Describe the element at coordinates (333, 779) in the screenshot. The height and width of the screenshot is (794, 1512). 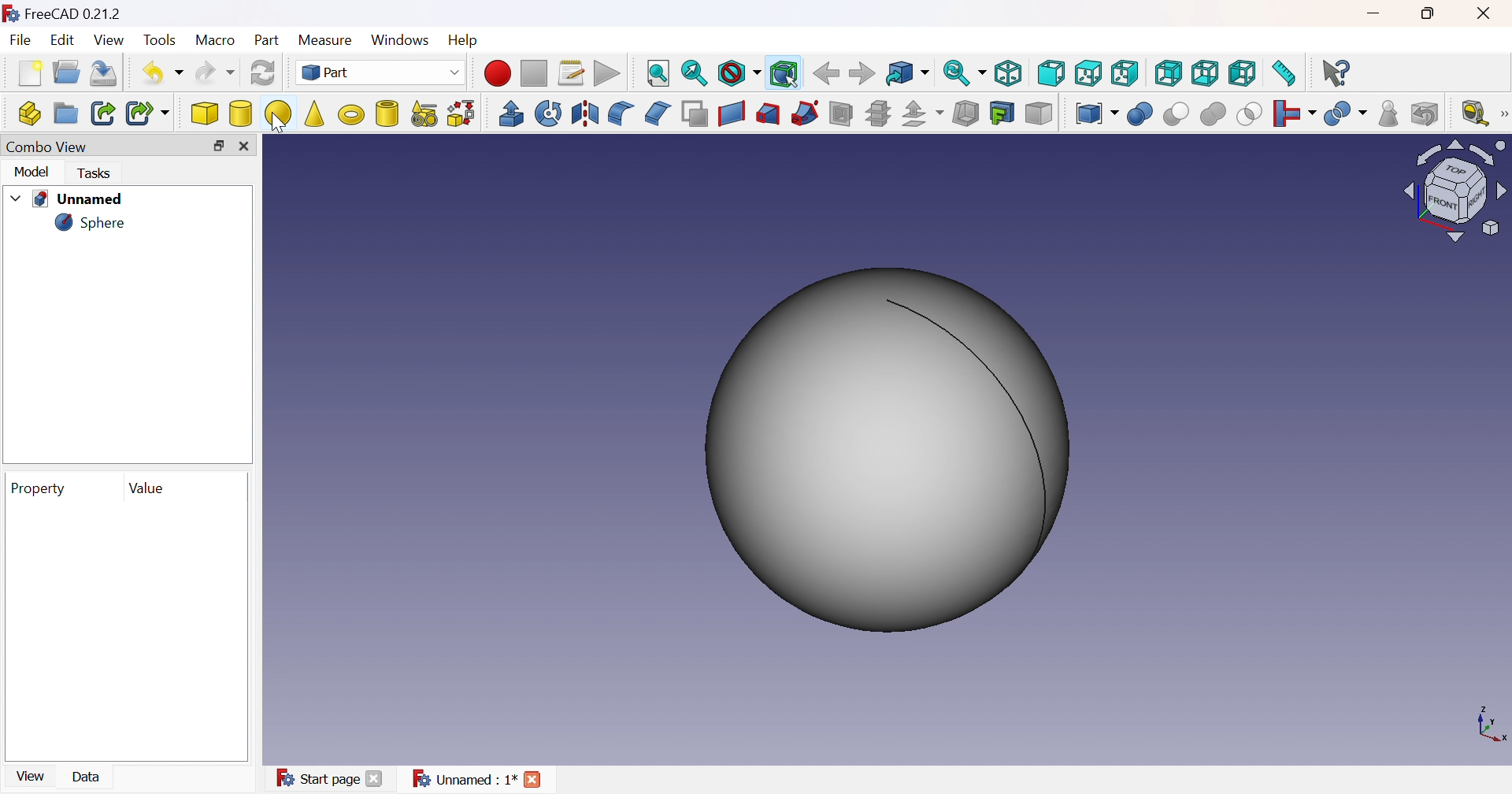
I see `Start page ` at that location.